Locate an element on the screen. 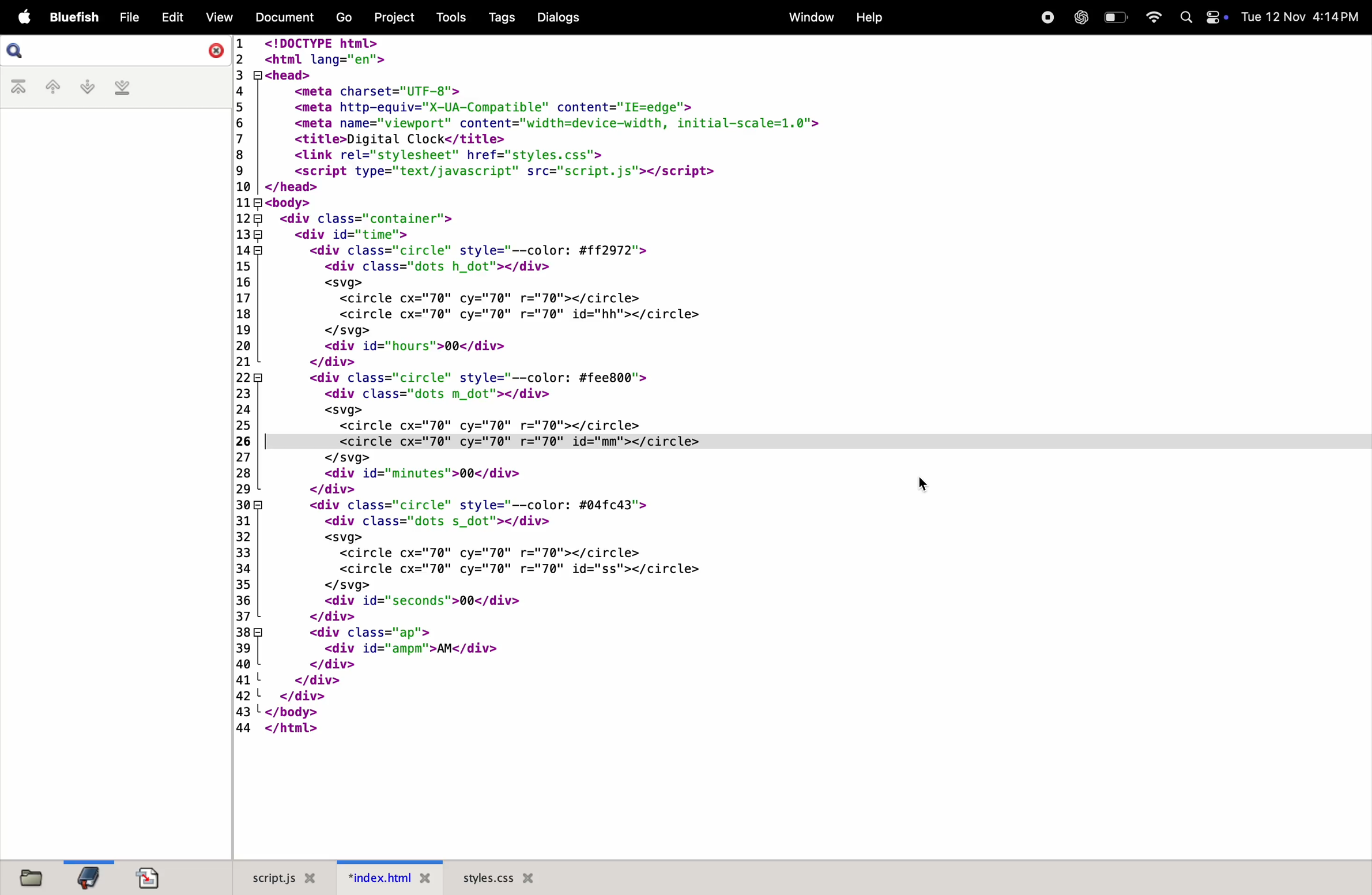  bluefish is located at coordinates (71, 18).